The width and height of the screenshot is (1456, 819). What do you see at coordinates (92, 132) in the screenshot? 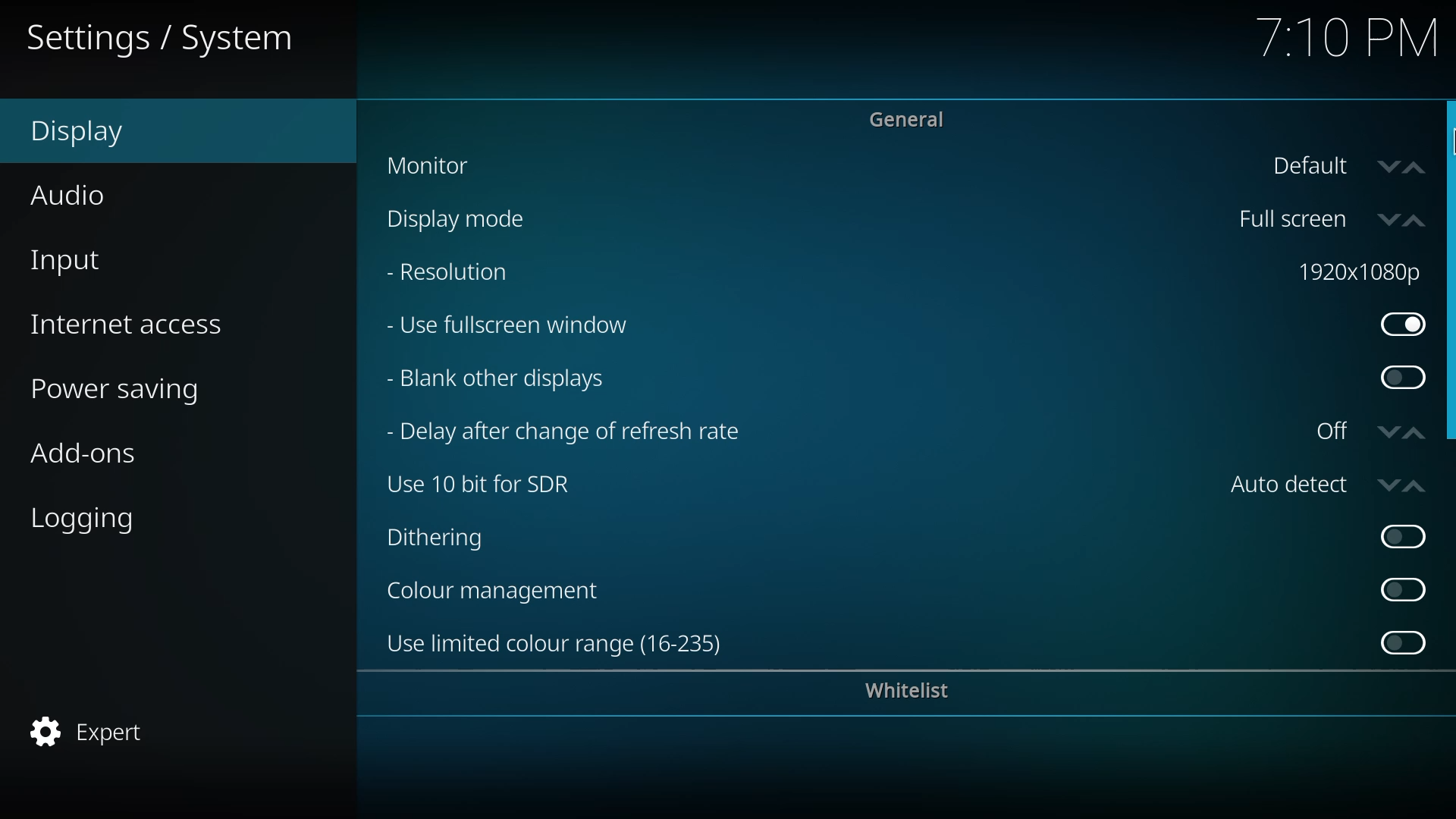
I see `display` at bounding box center [92, 132].